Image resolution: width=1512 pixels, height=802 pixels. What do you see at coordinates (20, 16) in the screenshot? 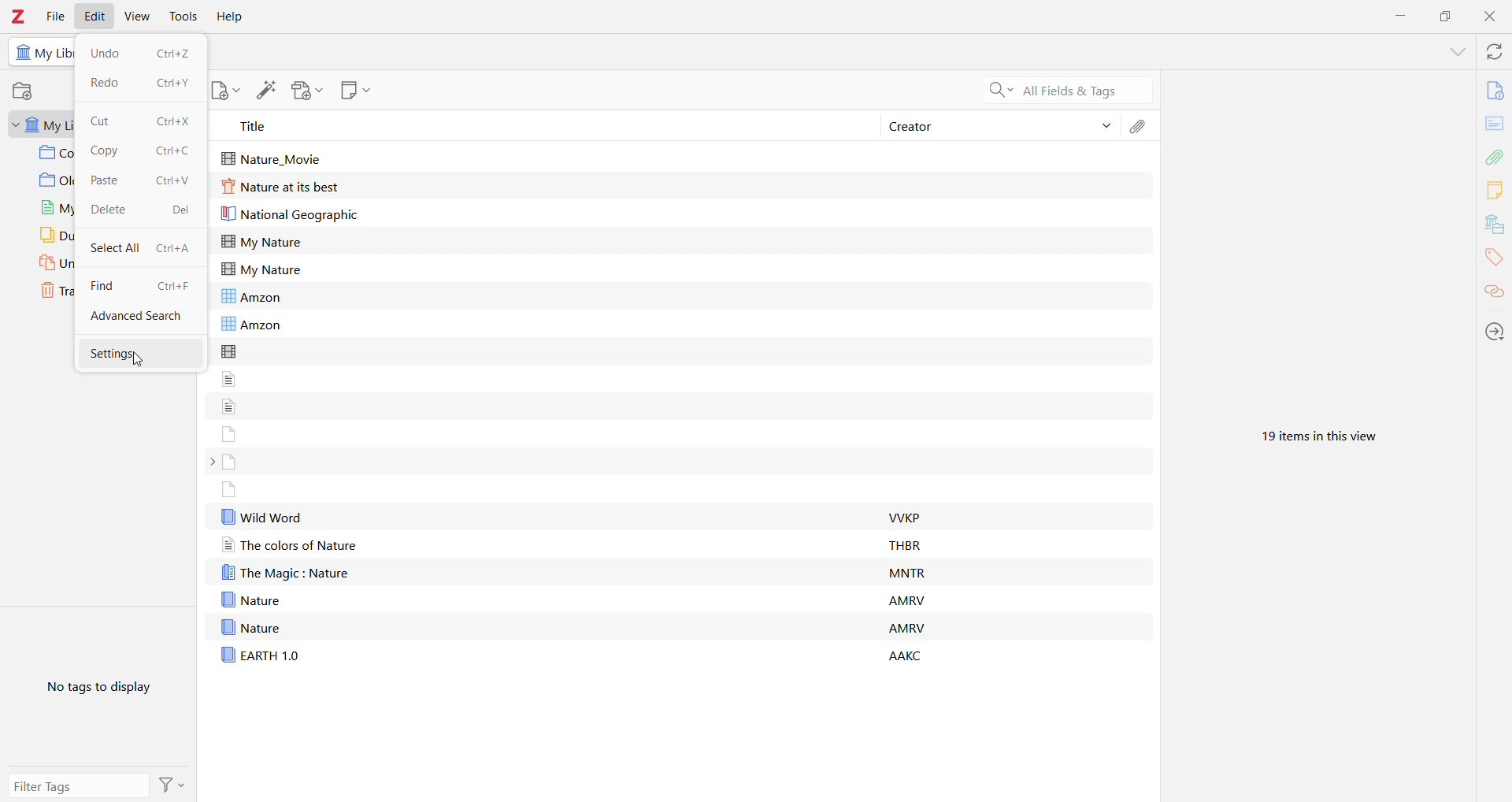
I see `Zotero` at bounding box center [20, 16].